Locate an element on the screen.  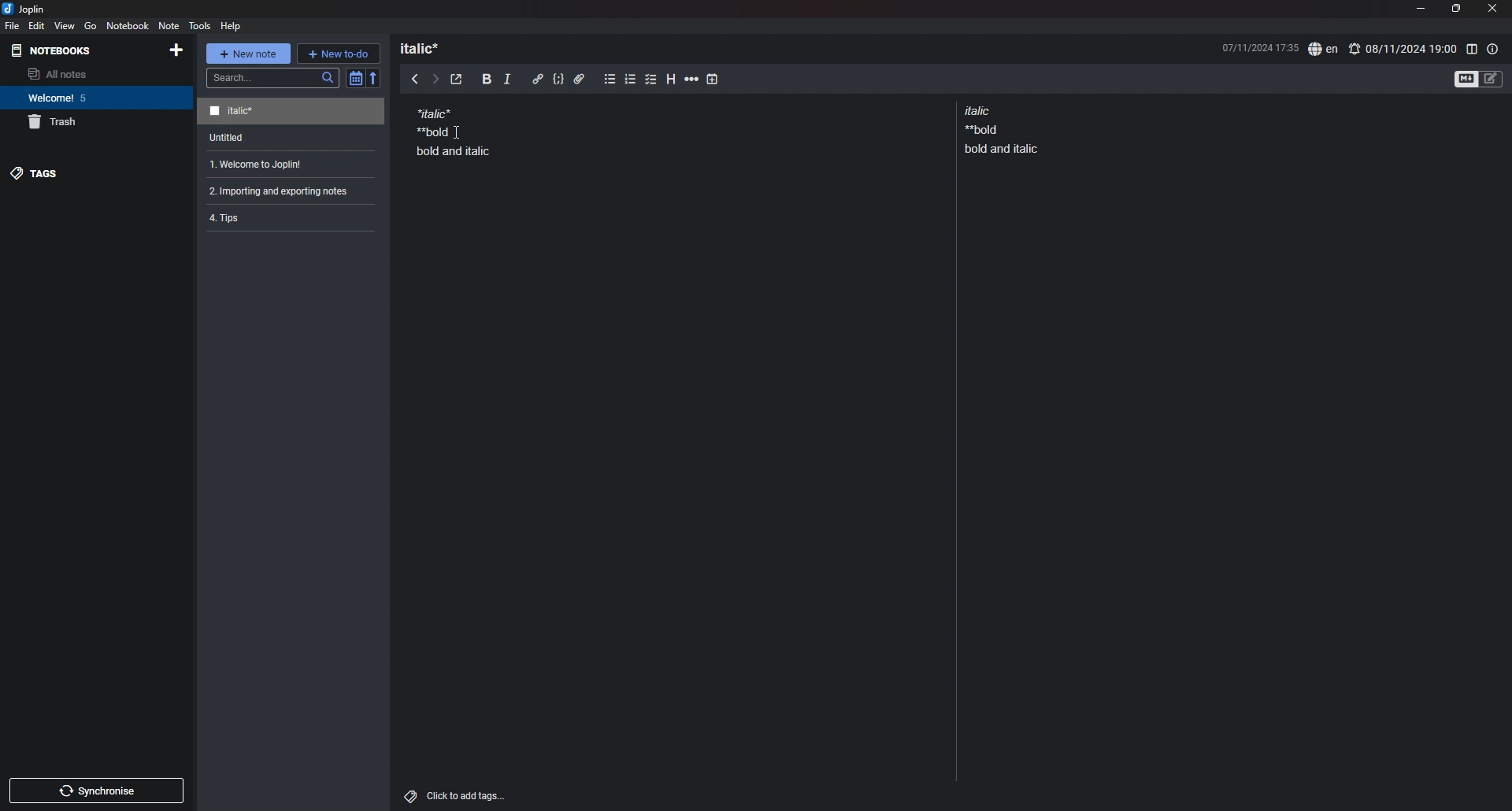
code is located at coordinates (558, 80).